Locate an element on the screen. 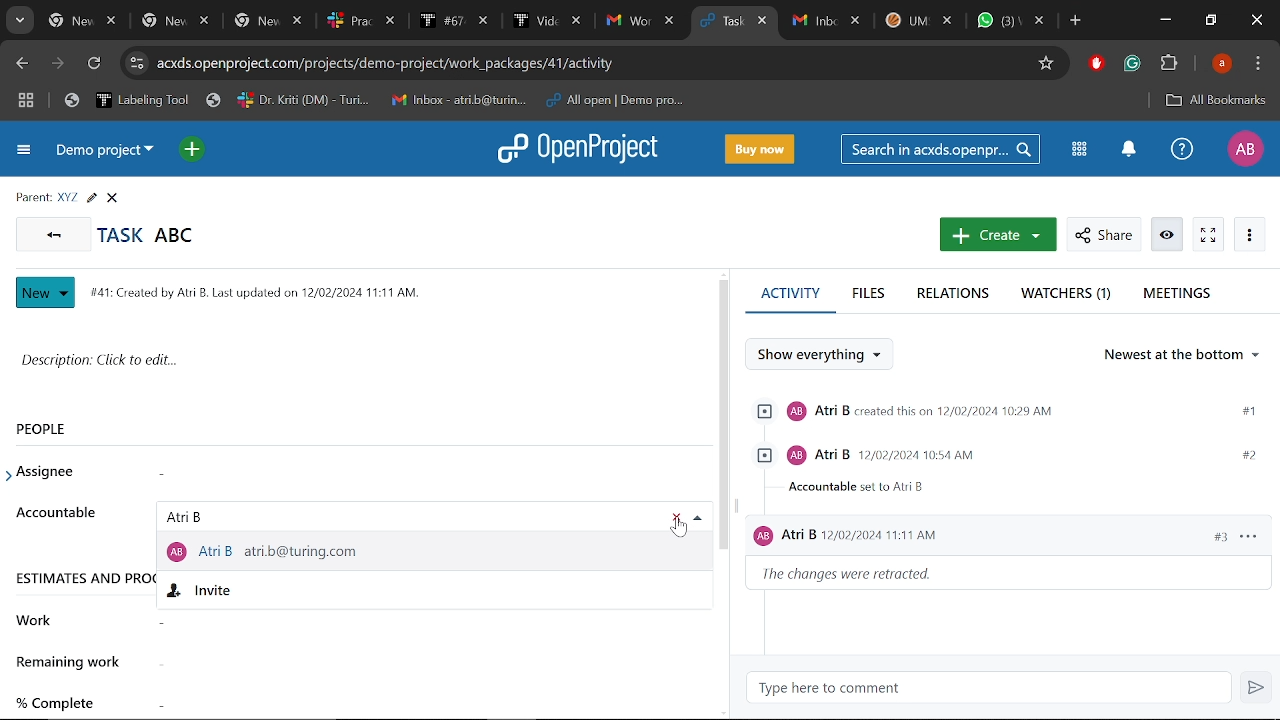 This screenshot has height=720, width=1280. Project info is located at coordinates (251, 292).